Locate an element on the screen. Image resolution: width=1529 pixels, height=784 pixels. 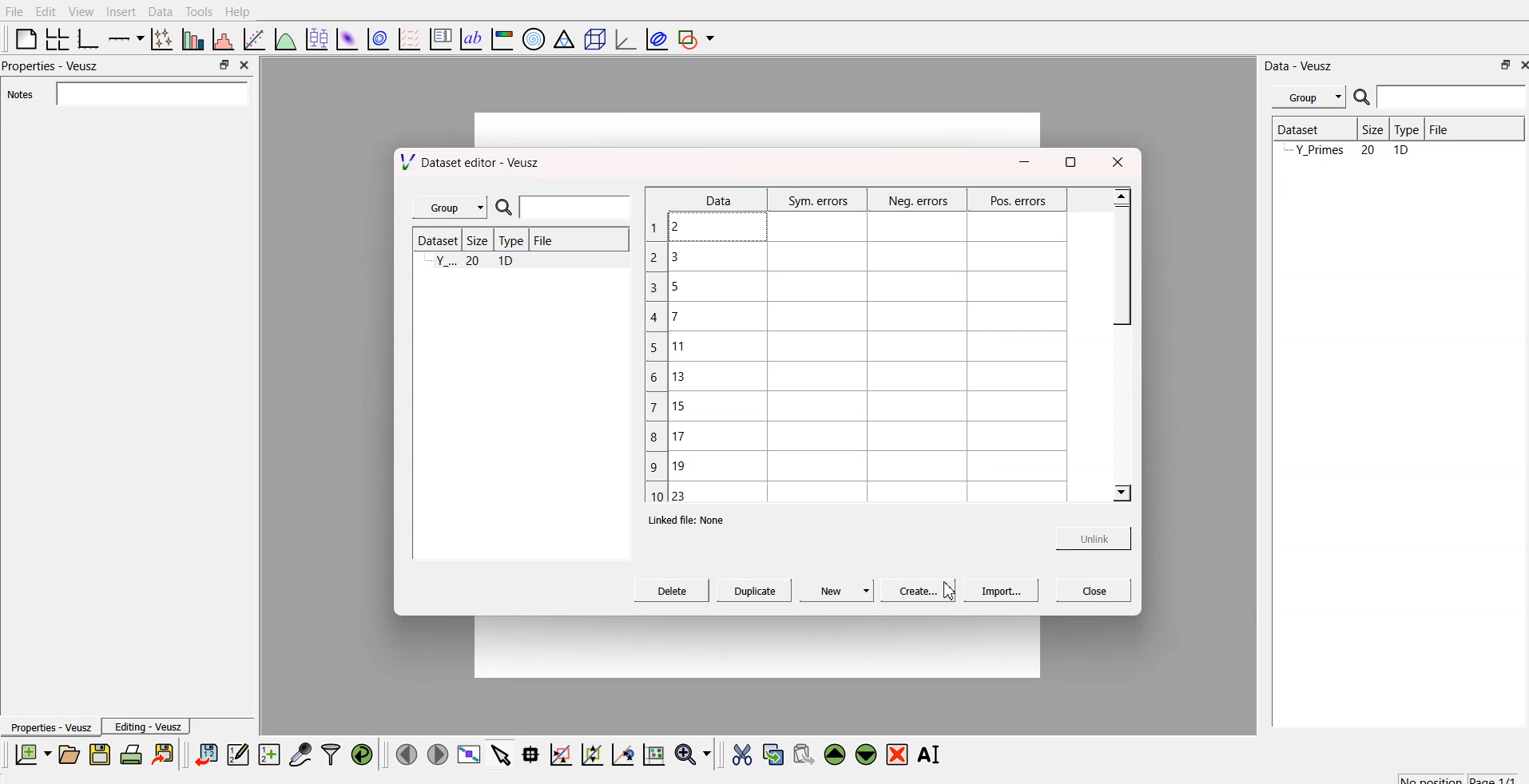
plot key is located at coordinates (441, 37).